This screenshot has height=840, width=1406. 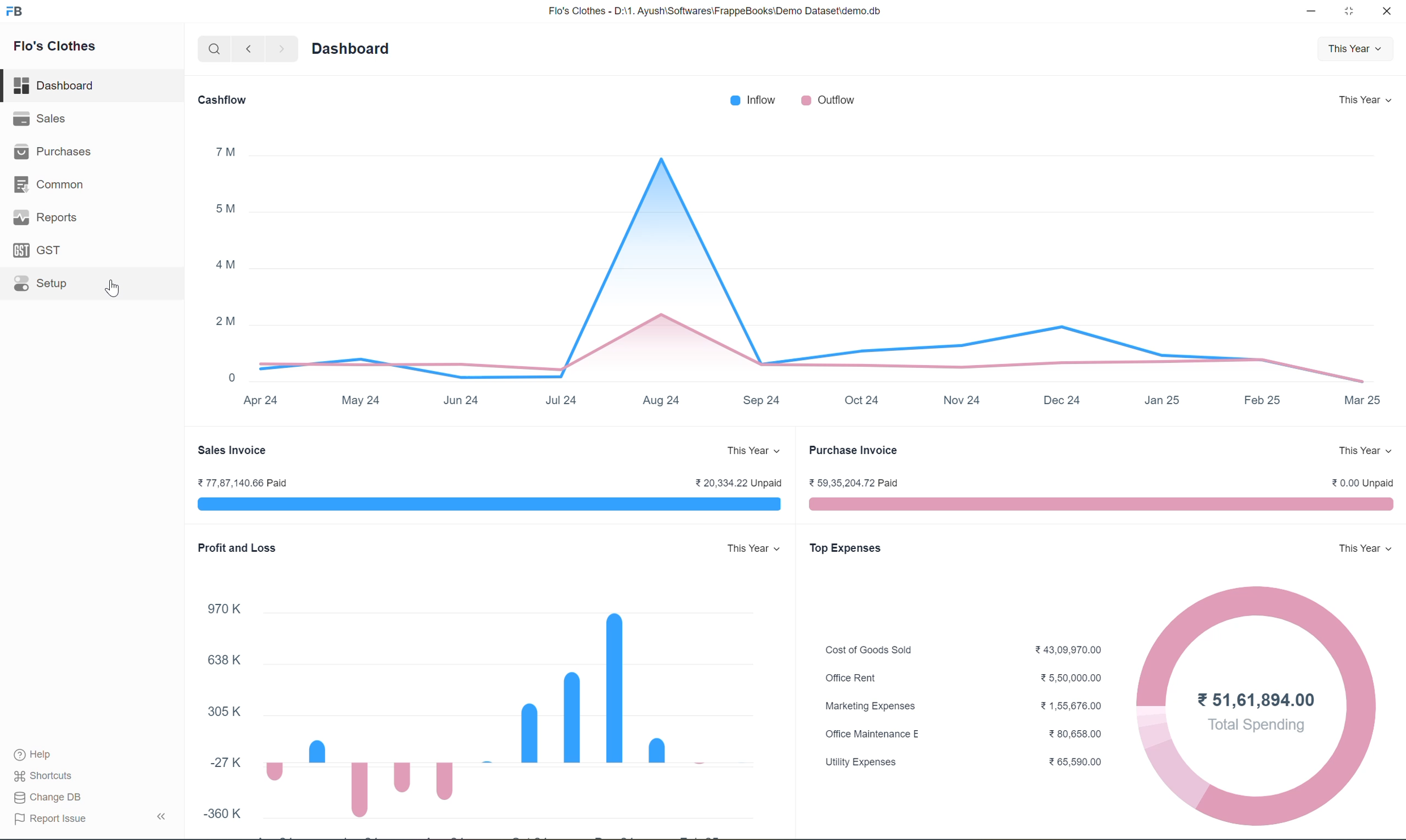 I want to click on Jan 25, so click(x=1164, y=401).